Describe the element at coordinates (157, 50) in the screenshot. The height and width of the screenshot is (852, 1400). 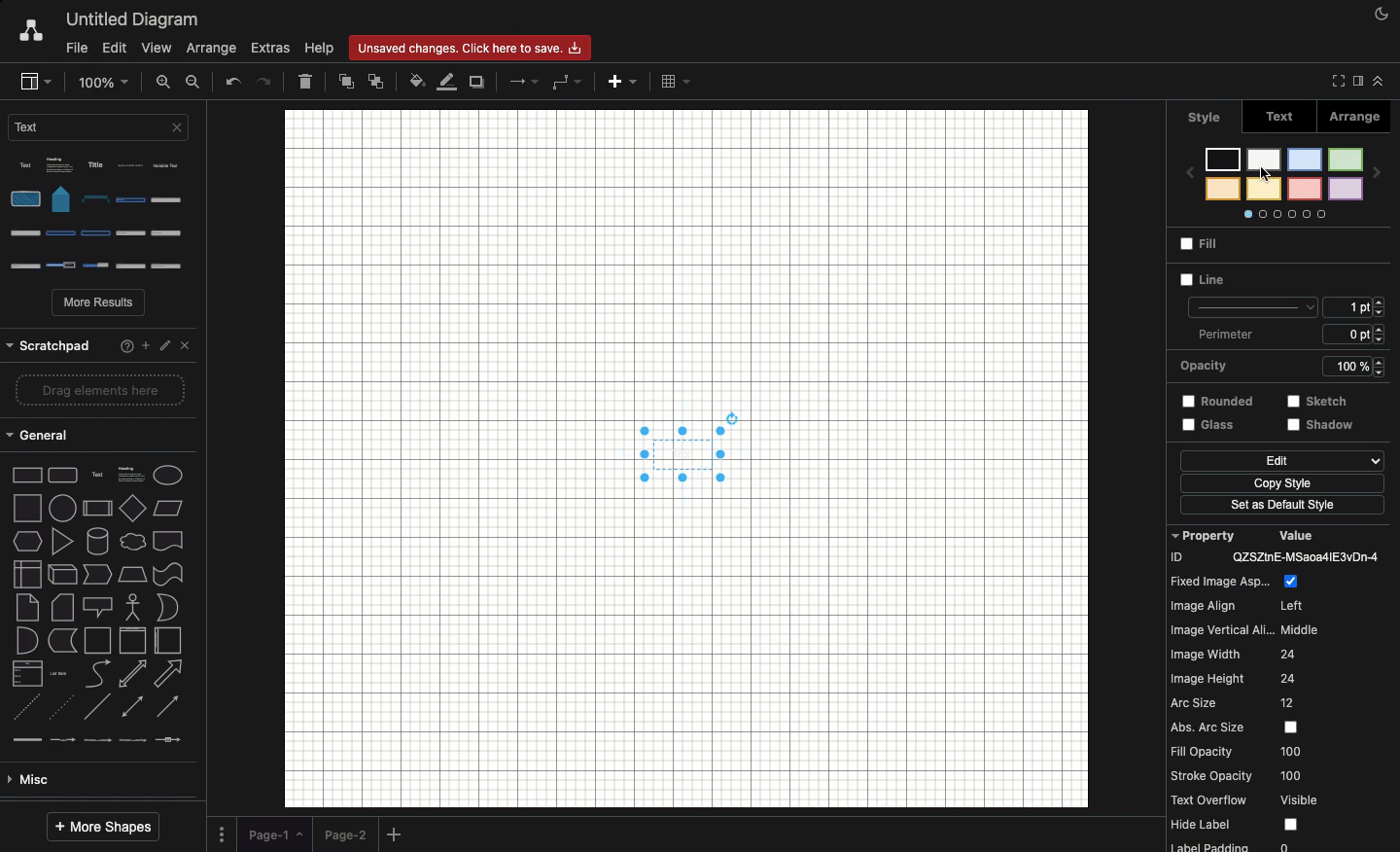
I see `View` at that location.